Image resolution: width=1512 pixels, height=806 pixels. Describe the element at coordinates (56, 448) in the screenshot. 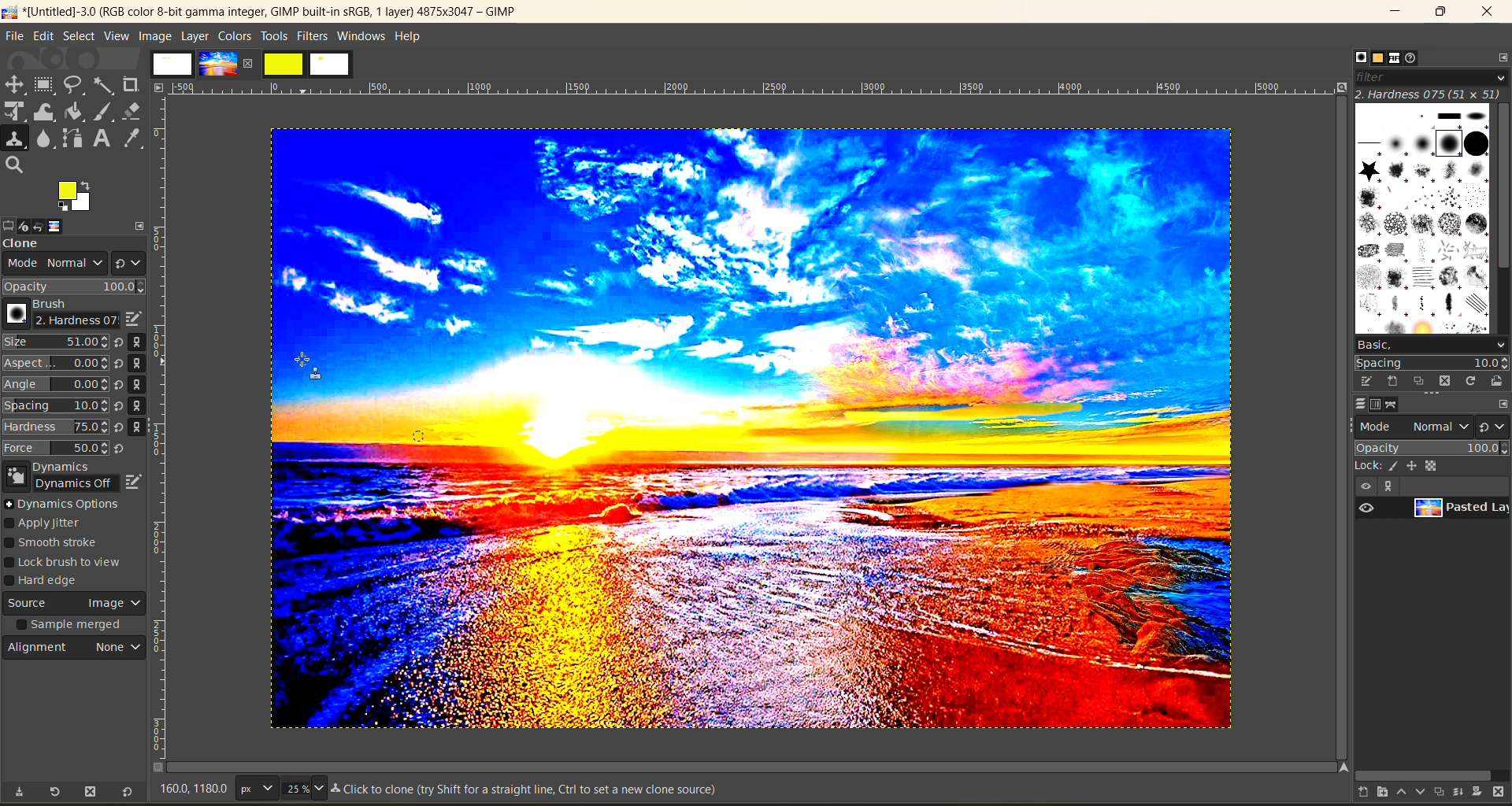

I see `Force. 50.0` at that location.